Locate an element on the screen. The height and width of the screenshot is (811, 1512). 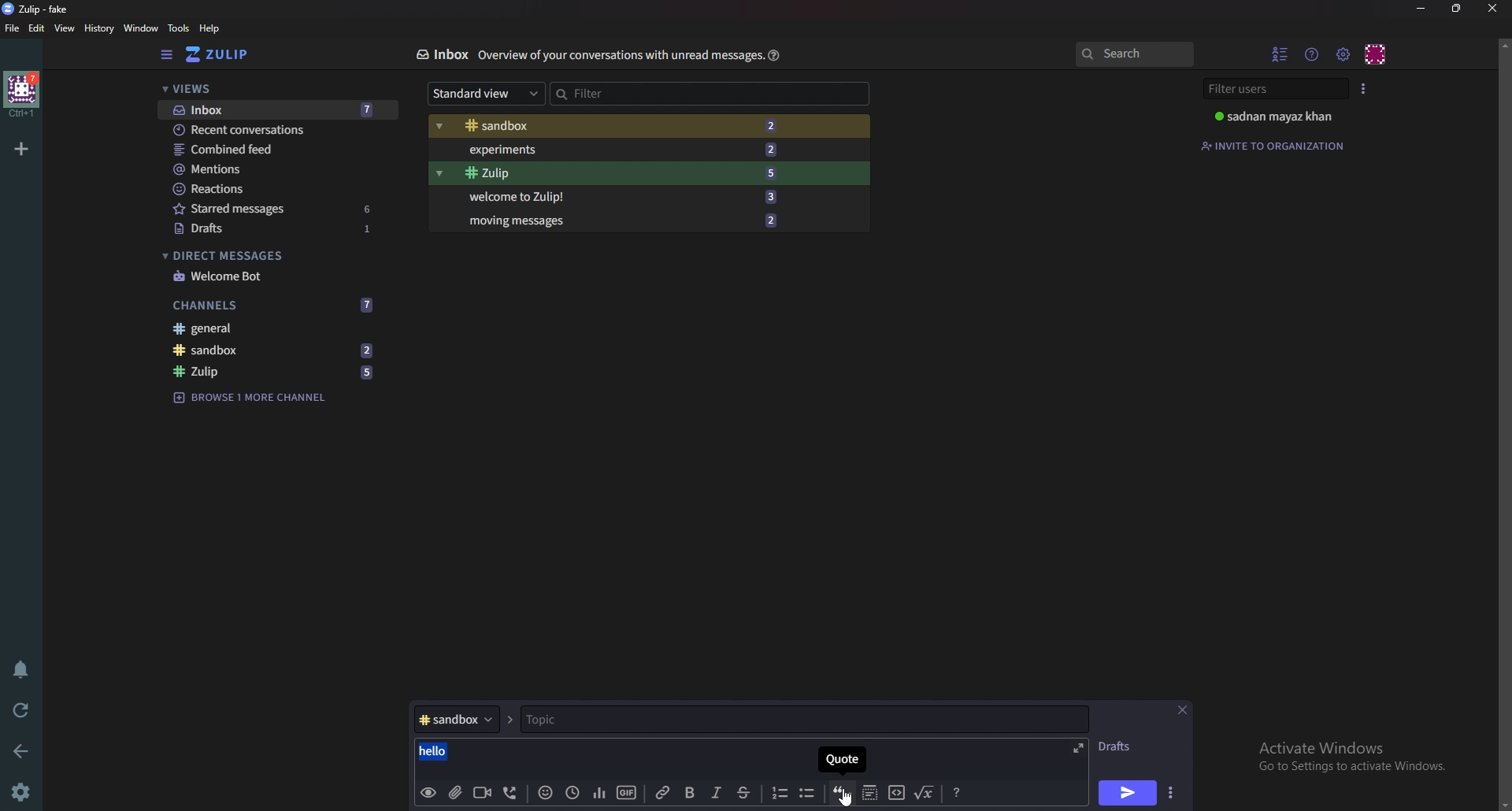
Reactions is located at coordinates (274, 188).